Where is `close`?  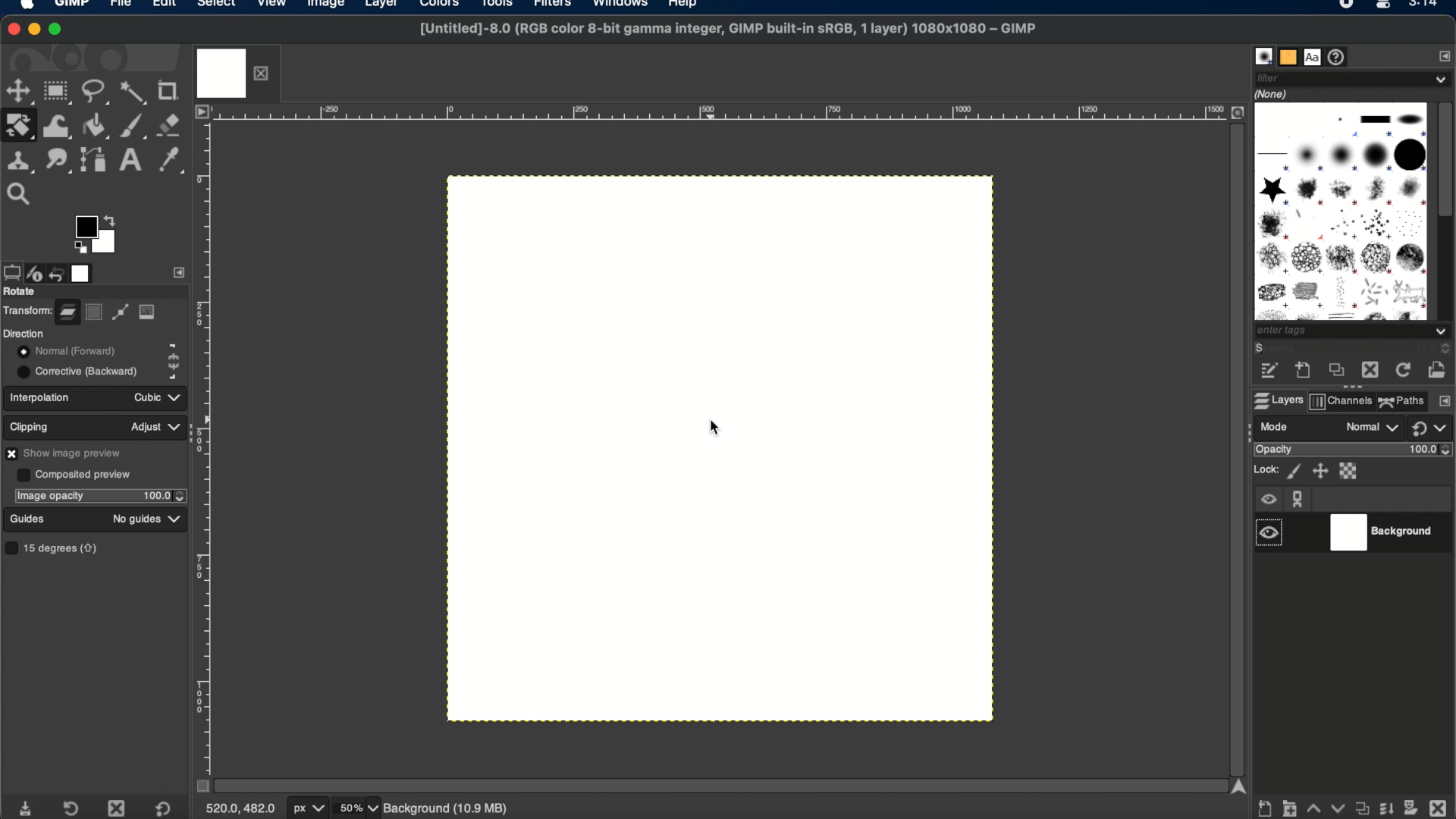
close is located at coordinates (14, 27).